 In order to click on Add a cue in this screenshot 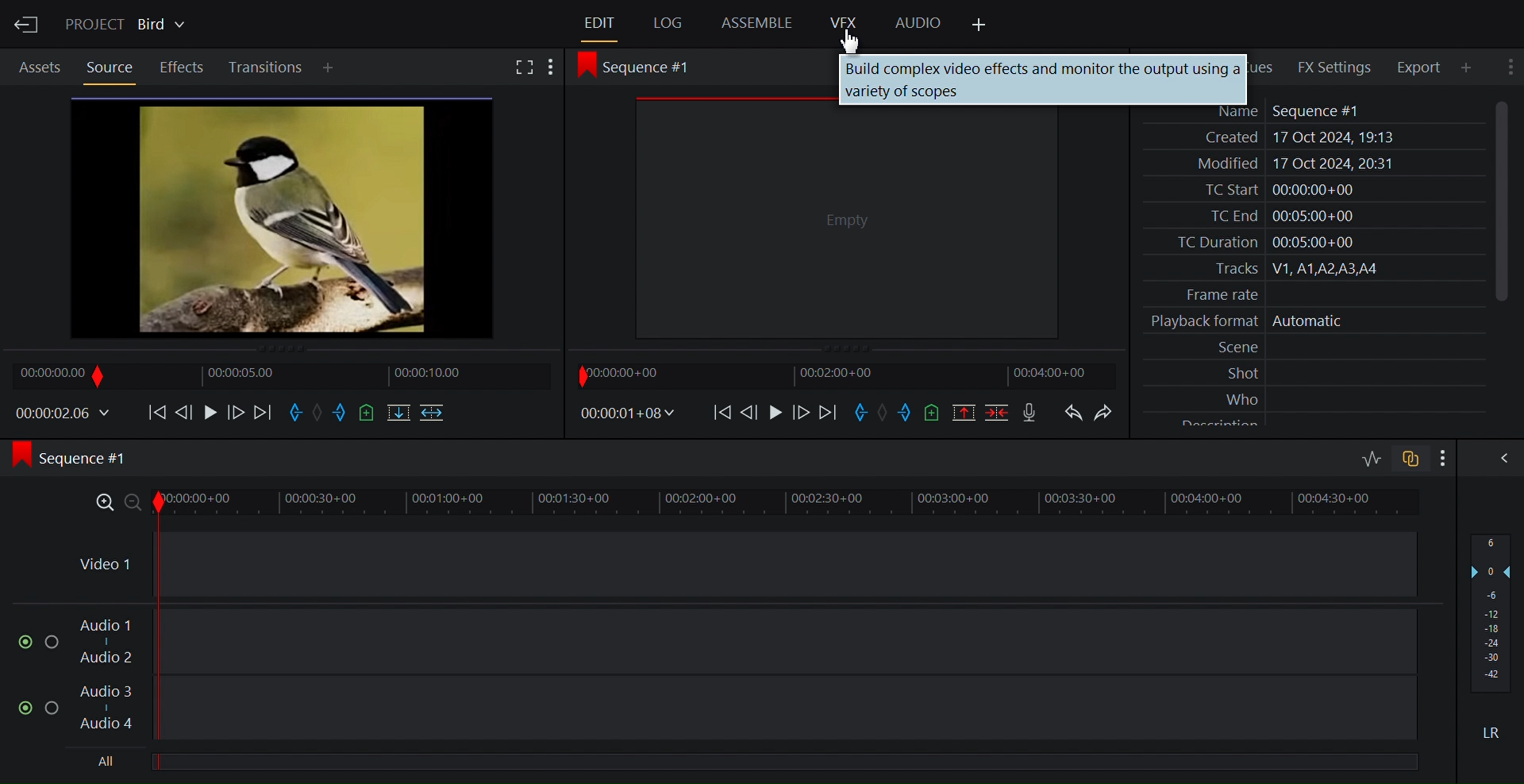, I will do `click(933, 412)`.